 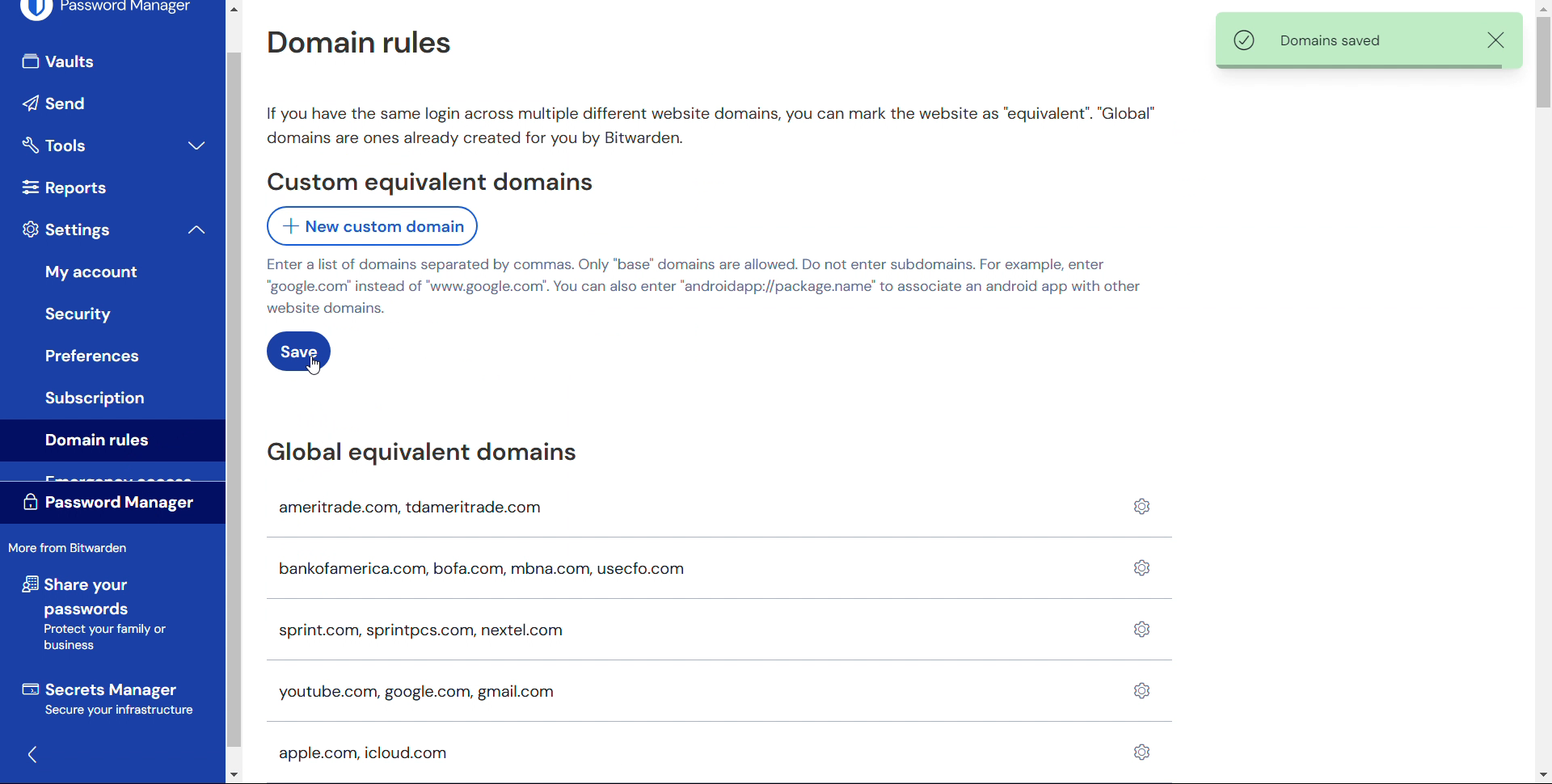 What do you see at coordinates (414, 693) in the screenshot?
I see `youtube.com, google.com, gmail.com` at bounding box center [414, 693].